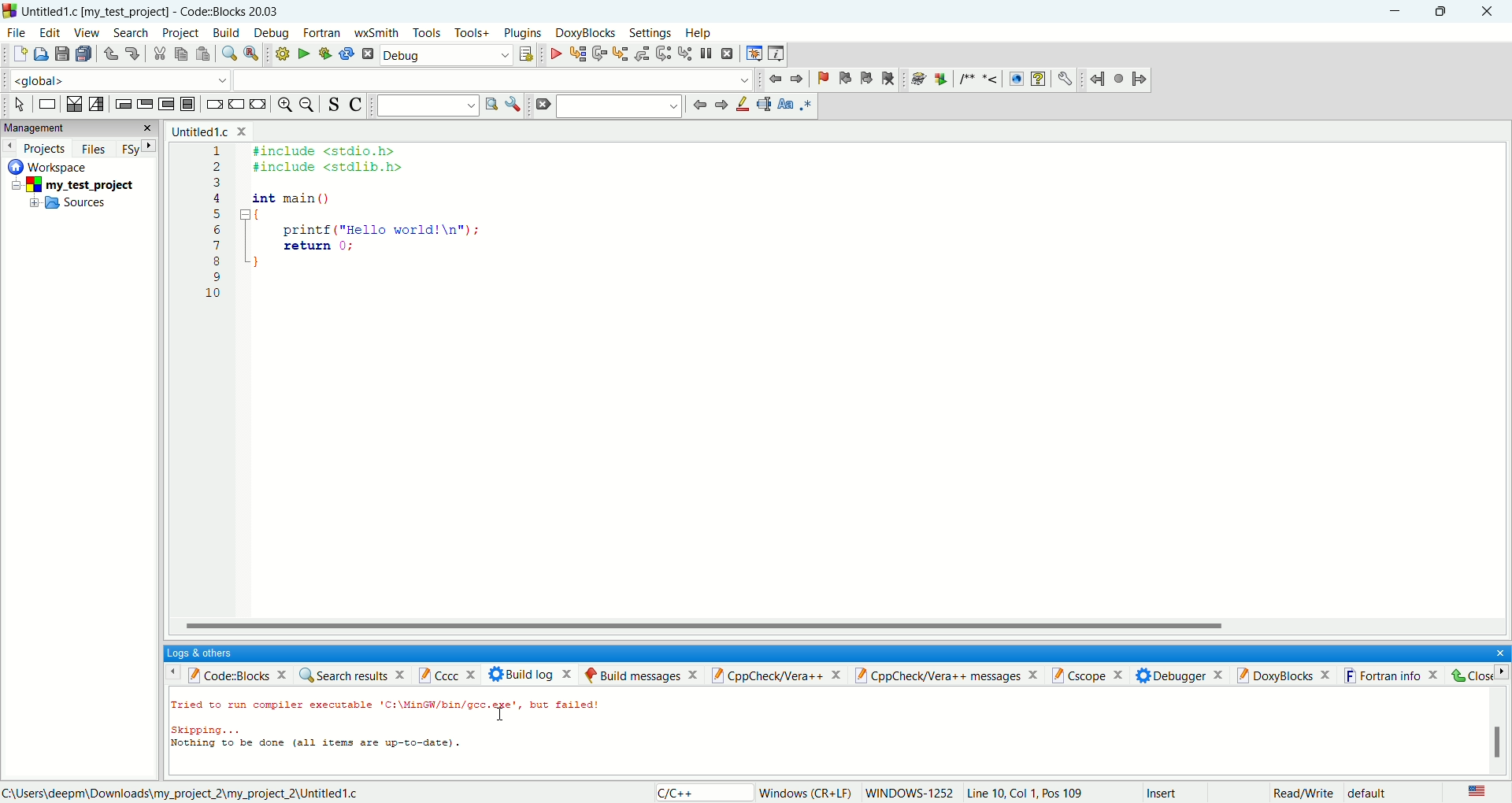  Describe the element at coordinates (916, 80) in the screenshot. I see `doxywizard` at that location.